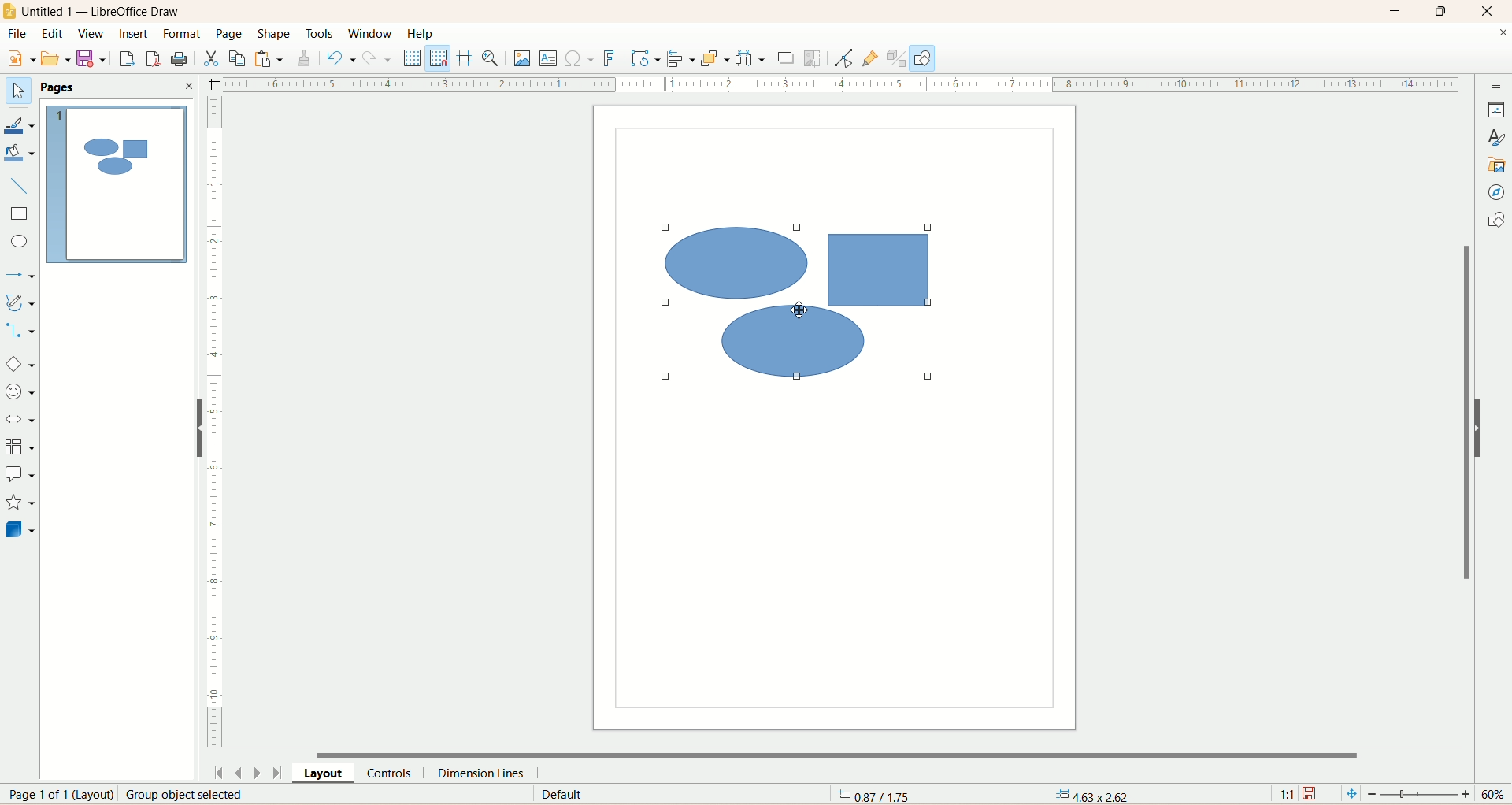 Image resolution: width=1512 pixels, height=805 pixels. I want to click on snap to grid, so click(440, 59).